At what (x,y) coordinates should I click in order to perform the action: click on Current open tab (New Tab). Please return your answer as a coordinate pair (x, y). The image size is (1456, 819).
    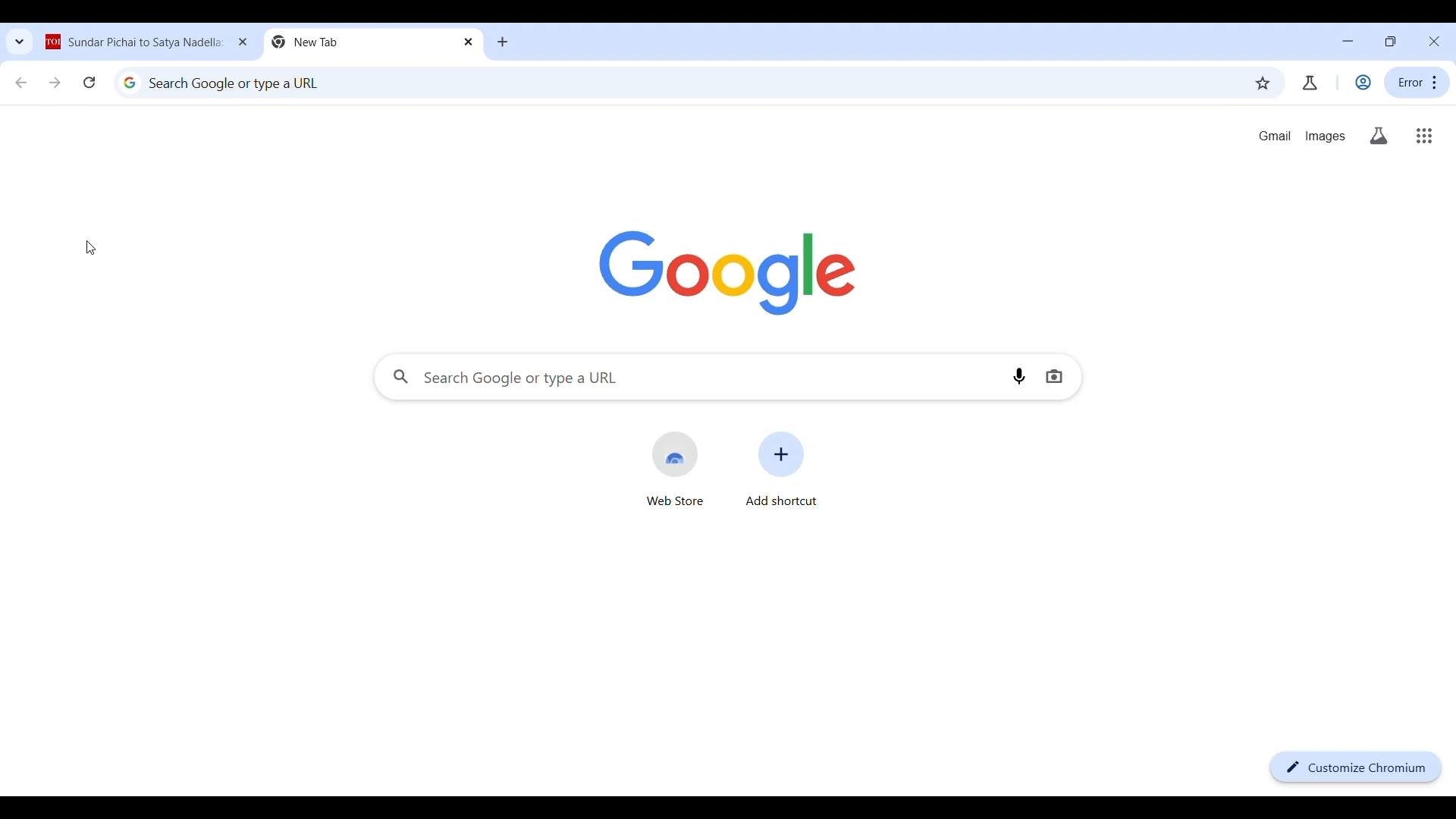
    Looking at the image, I should click on (362, 39).